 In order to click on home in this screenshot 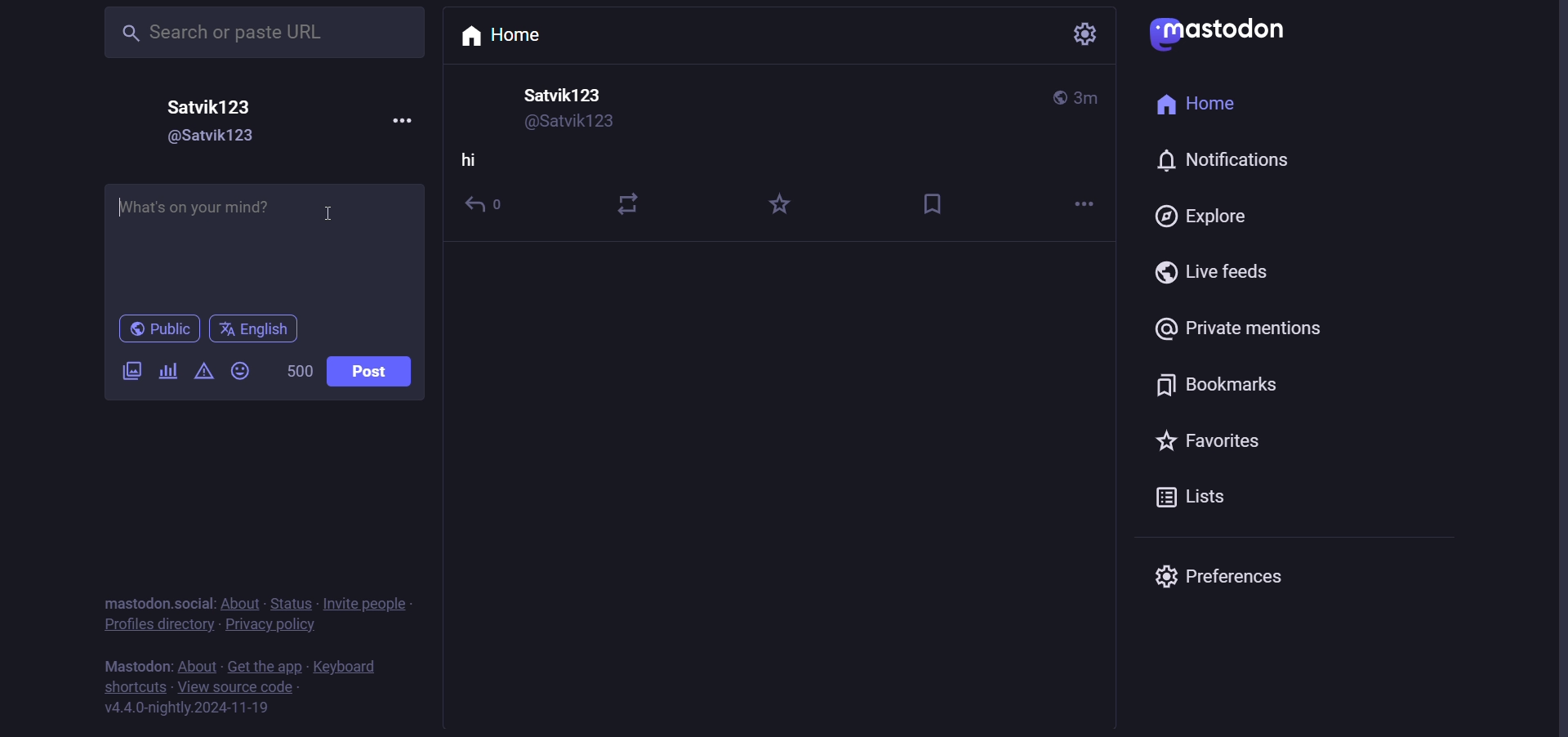, I will do `click(510, 34)`.